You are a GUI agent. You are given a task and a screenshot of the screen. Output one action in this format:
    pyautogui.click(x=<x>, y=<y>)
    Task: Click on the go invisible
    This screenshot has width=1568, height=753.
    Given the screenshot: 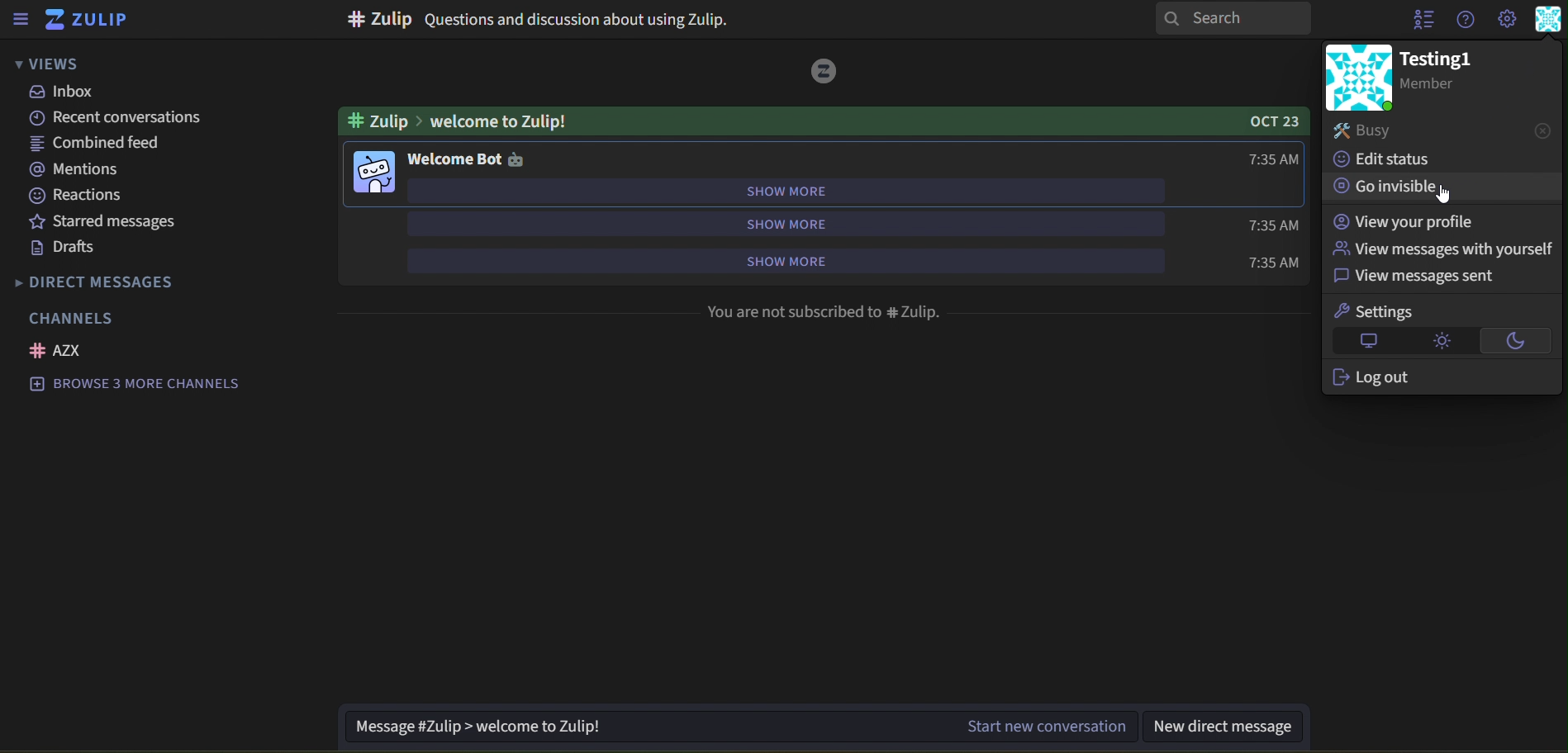 What is the action you would take?
    pyautogui.click(x=1401, y=186)
    